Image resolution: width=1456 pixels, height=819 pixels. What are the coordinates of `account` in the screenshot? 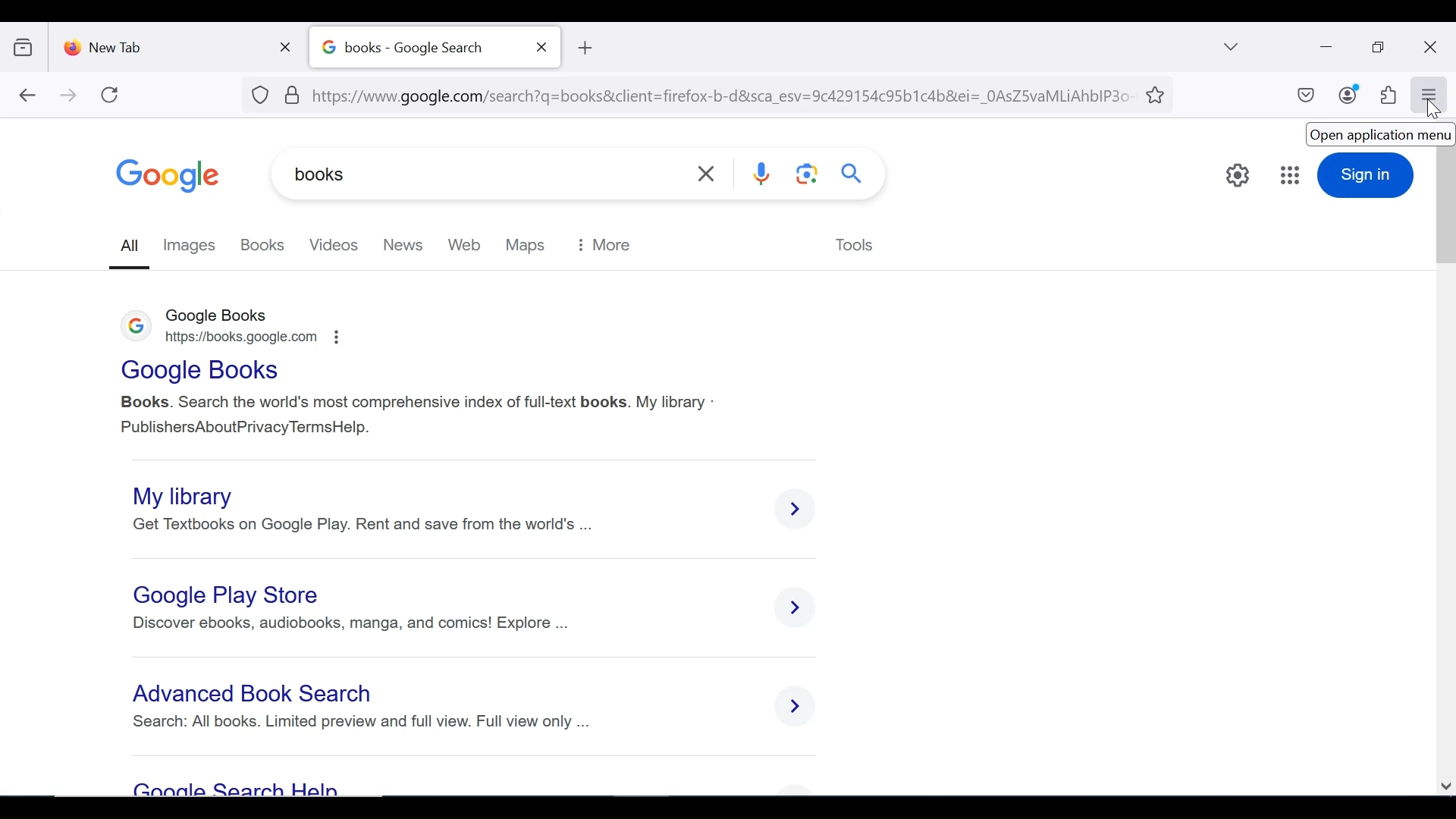 It's located at (1349, 94).